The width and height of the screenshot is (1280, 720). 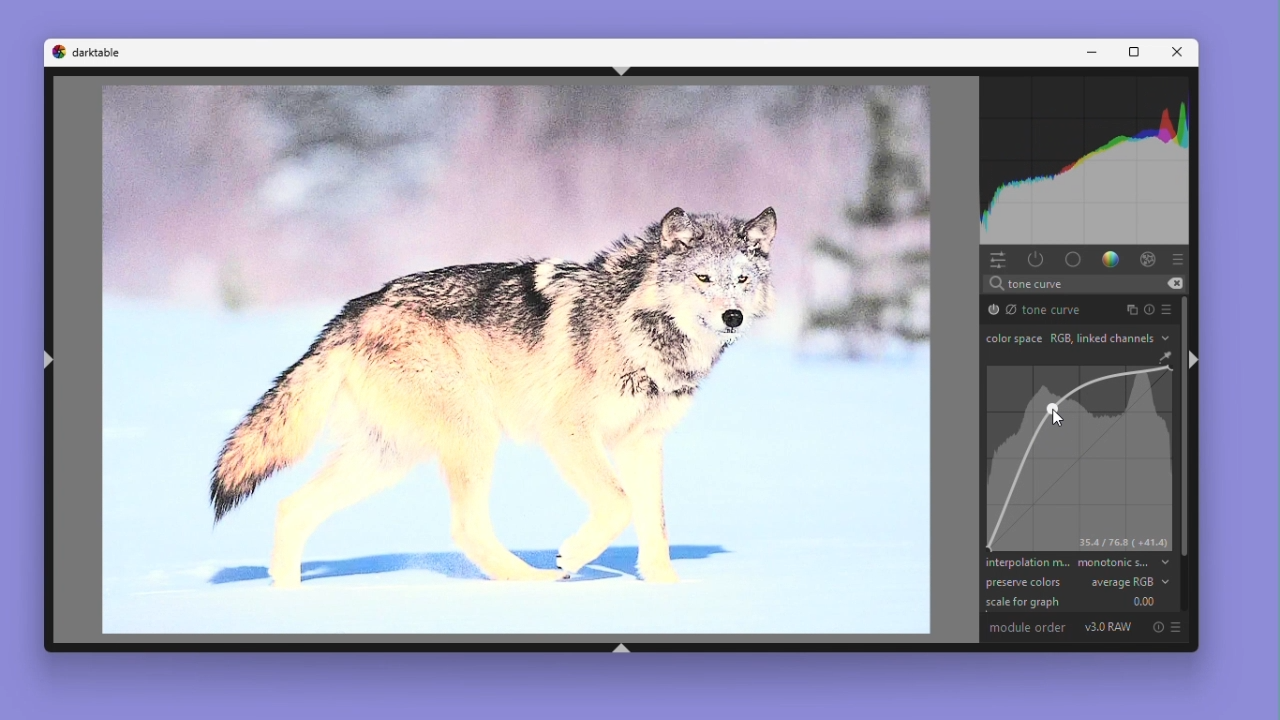 What do you see at coordinates (1044, 309) in the screenshot?
I see `Tone curve` at bounding box center [1044, 309].